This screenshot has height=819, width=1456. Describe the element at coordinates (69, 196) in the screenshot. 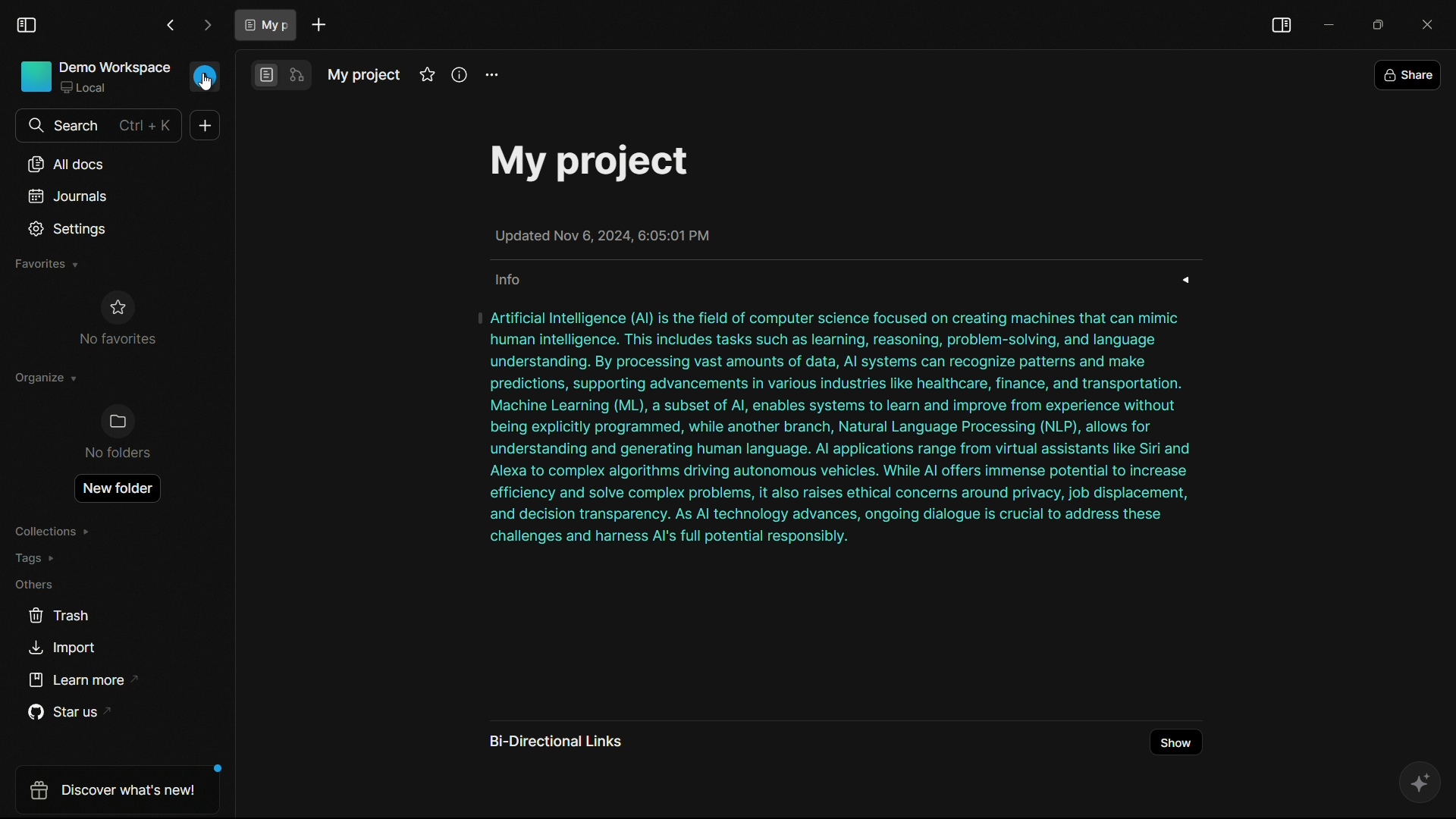

I see `journals` at that location.